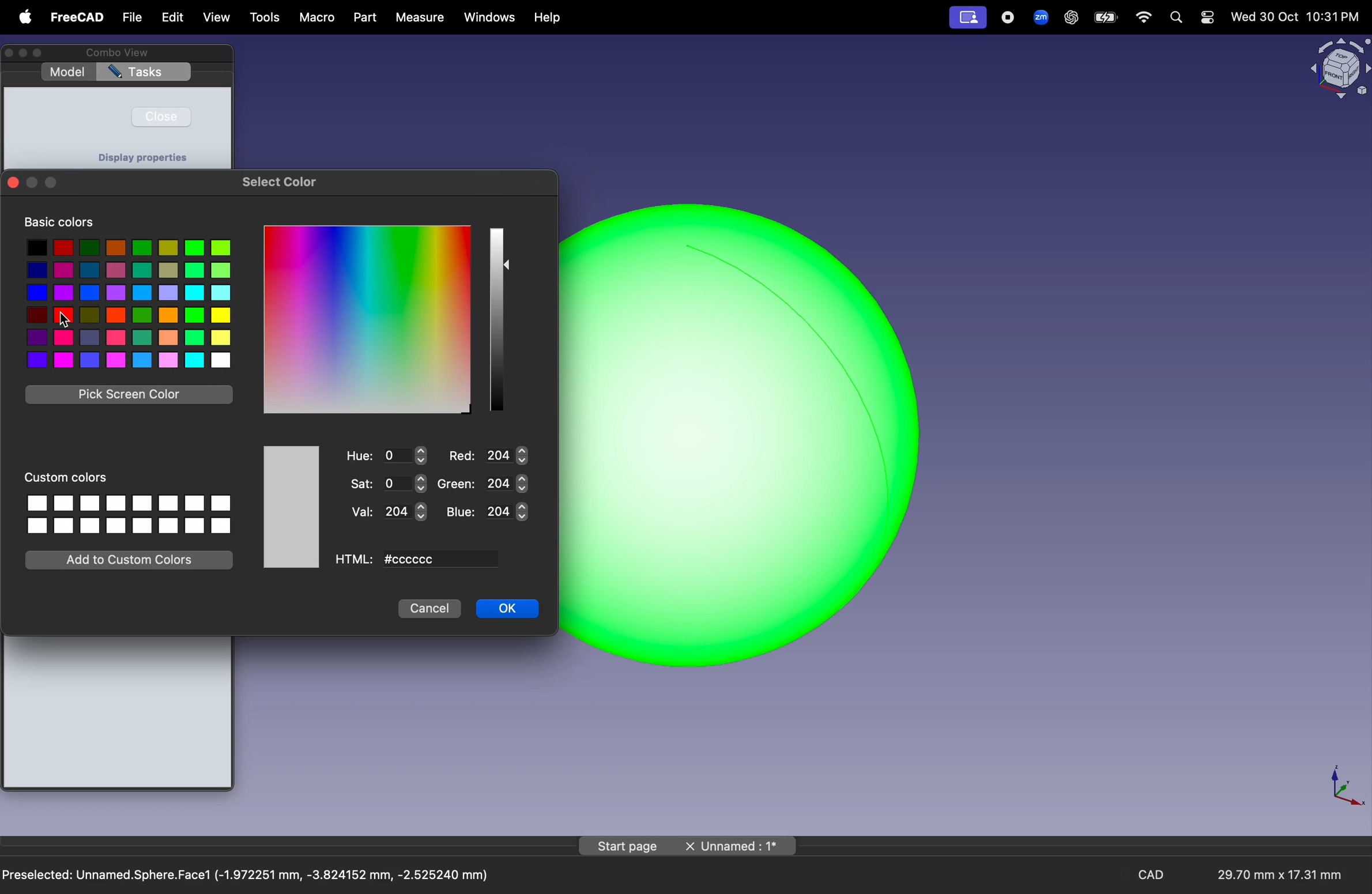 The height and width of the screenshot is (894, 1372). I want to click on select, so click(508, 265).